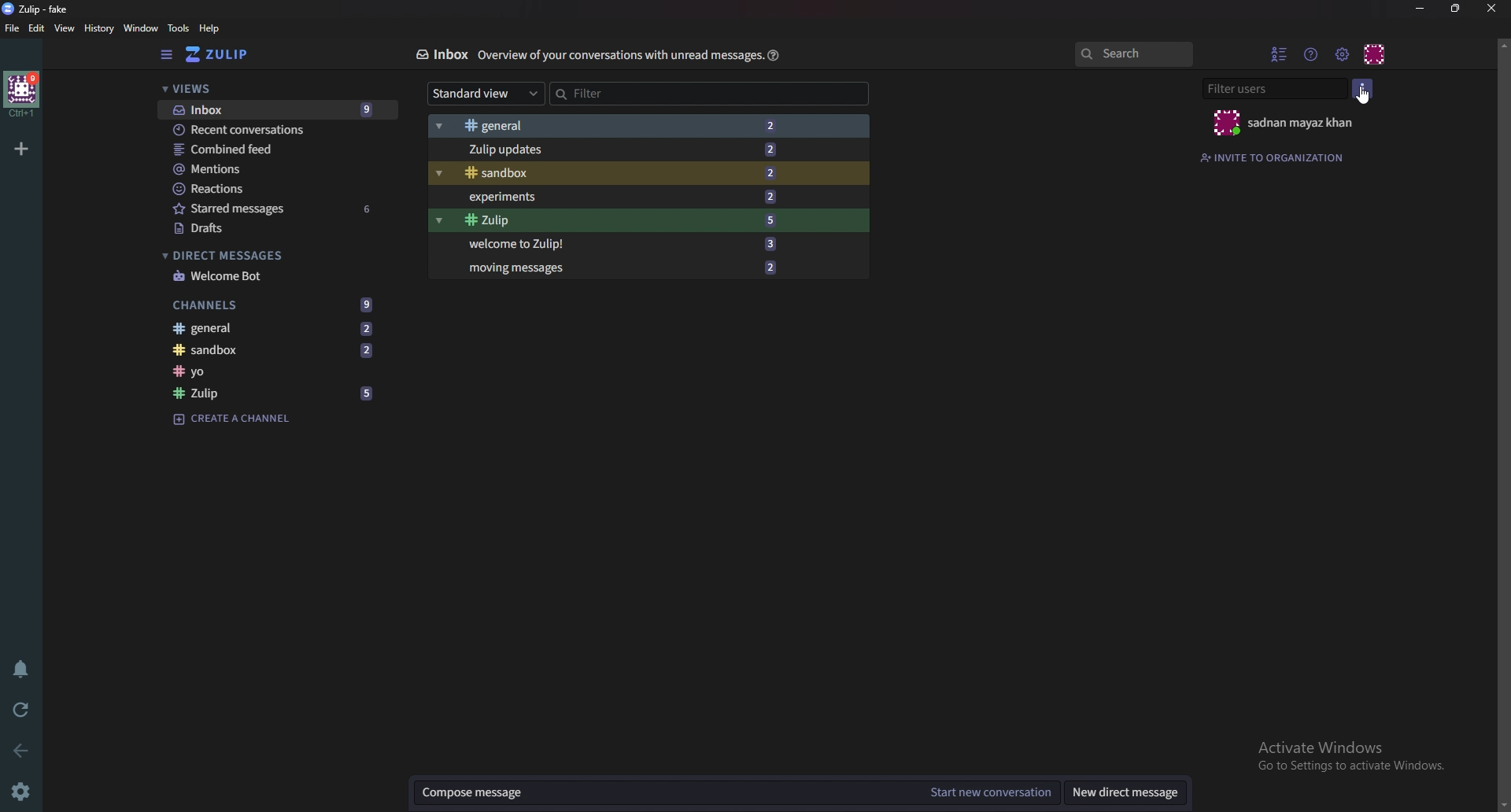  I want to click on Filter users, so click(1274, 88).